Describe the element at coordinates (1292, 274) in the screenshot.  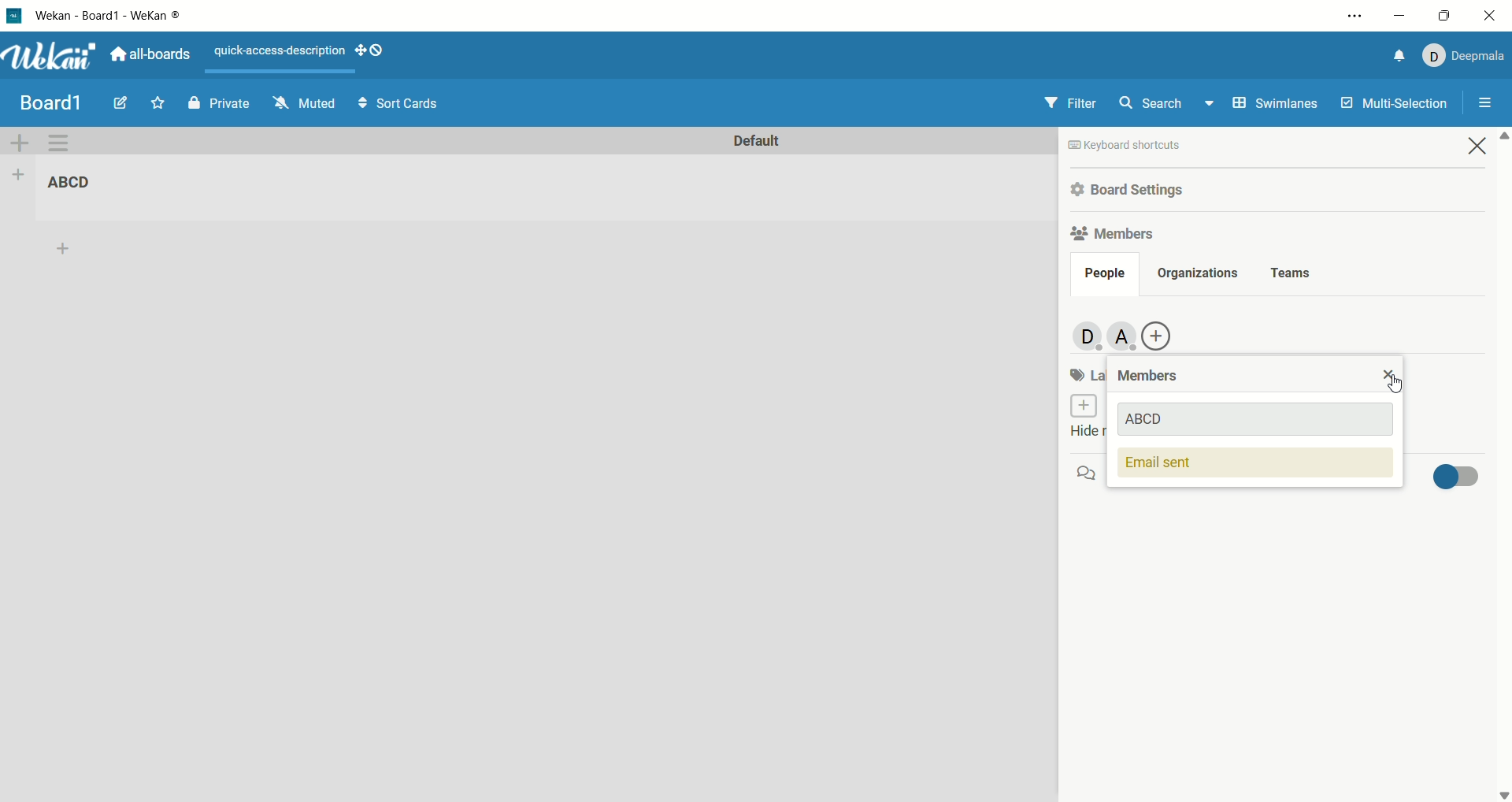
I see `teams` at that location.